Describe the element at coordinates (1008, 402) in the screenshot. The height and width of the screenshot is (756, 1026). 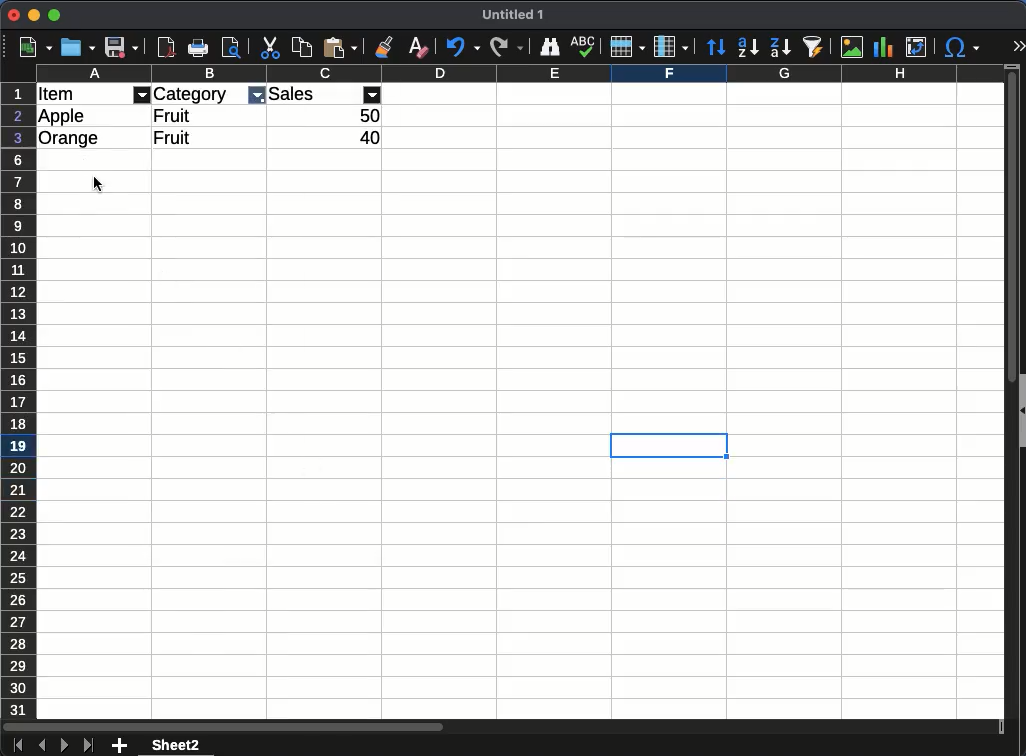
I see `scroll` at that location.